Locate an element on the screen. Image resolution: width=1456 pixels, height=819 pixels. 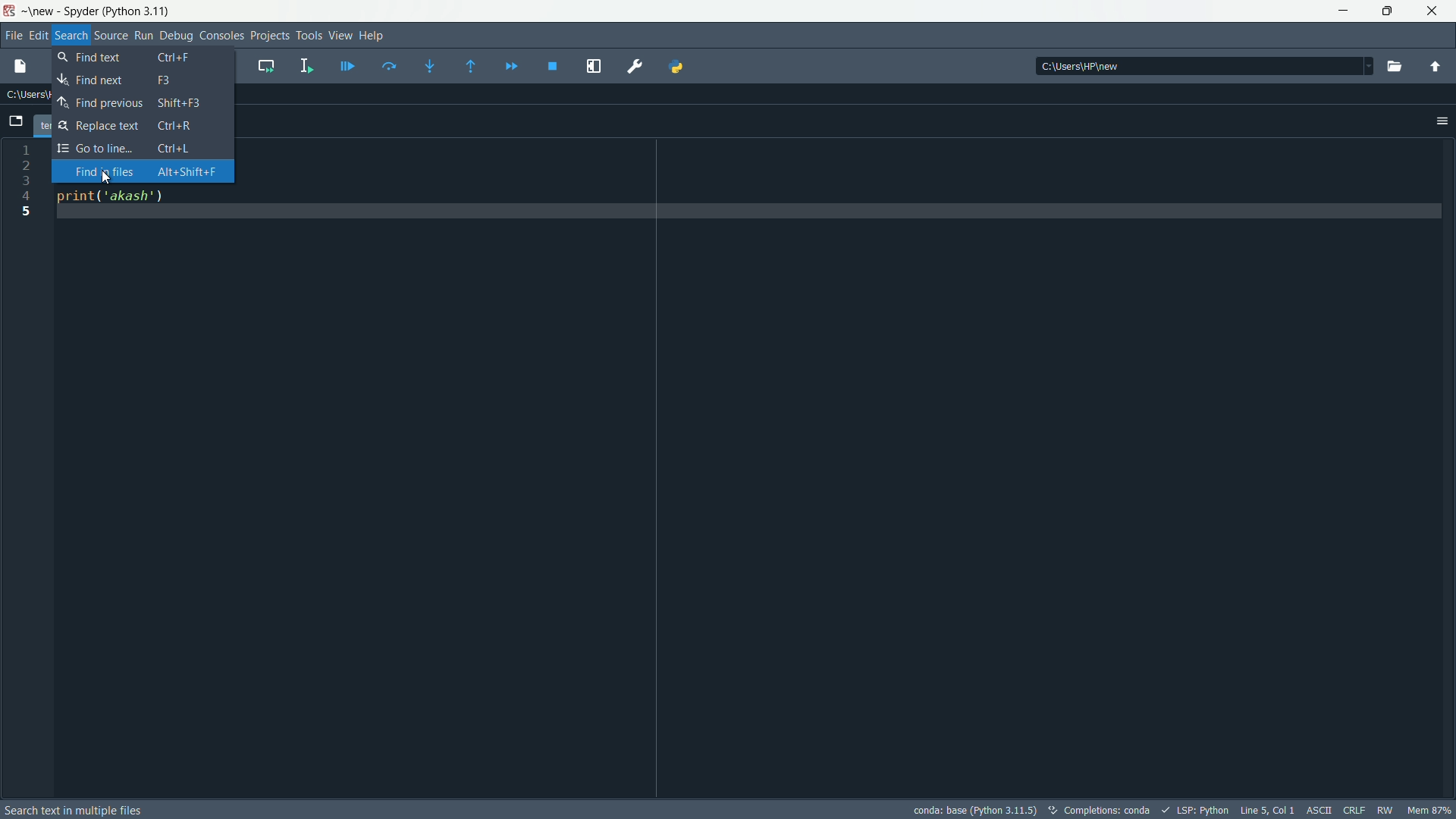
app icon is located at coordinates (11, 11).